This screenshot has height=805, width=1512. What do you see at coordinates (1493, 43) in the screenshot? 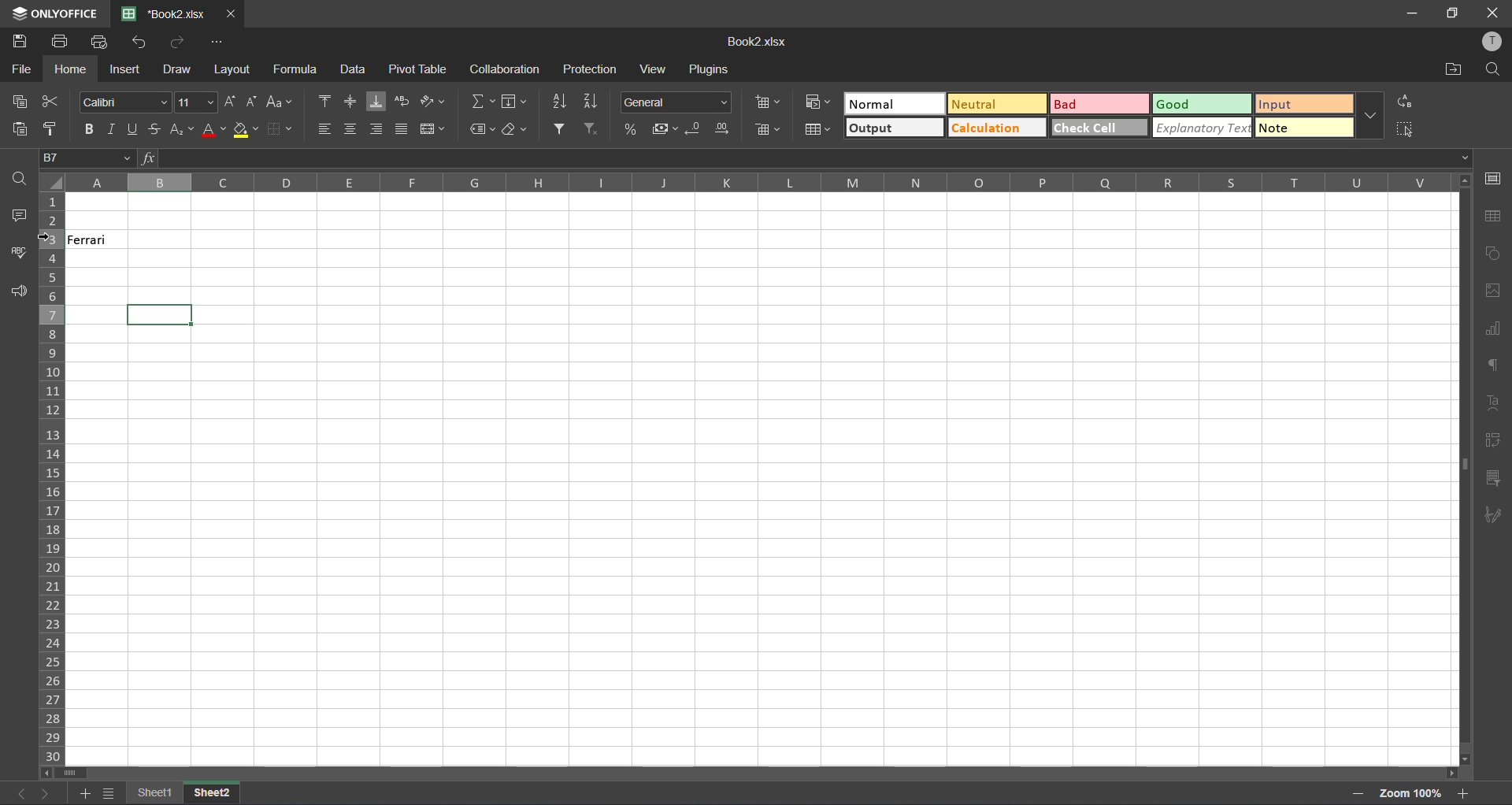
I see `profile` at bounding box center [1493, 43].